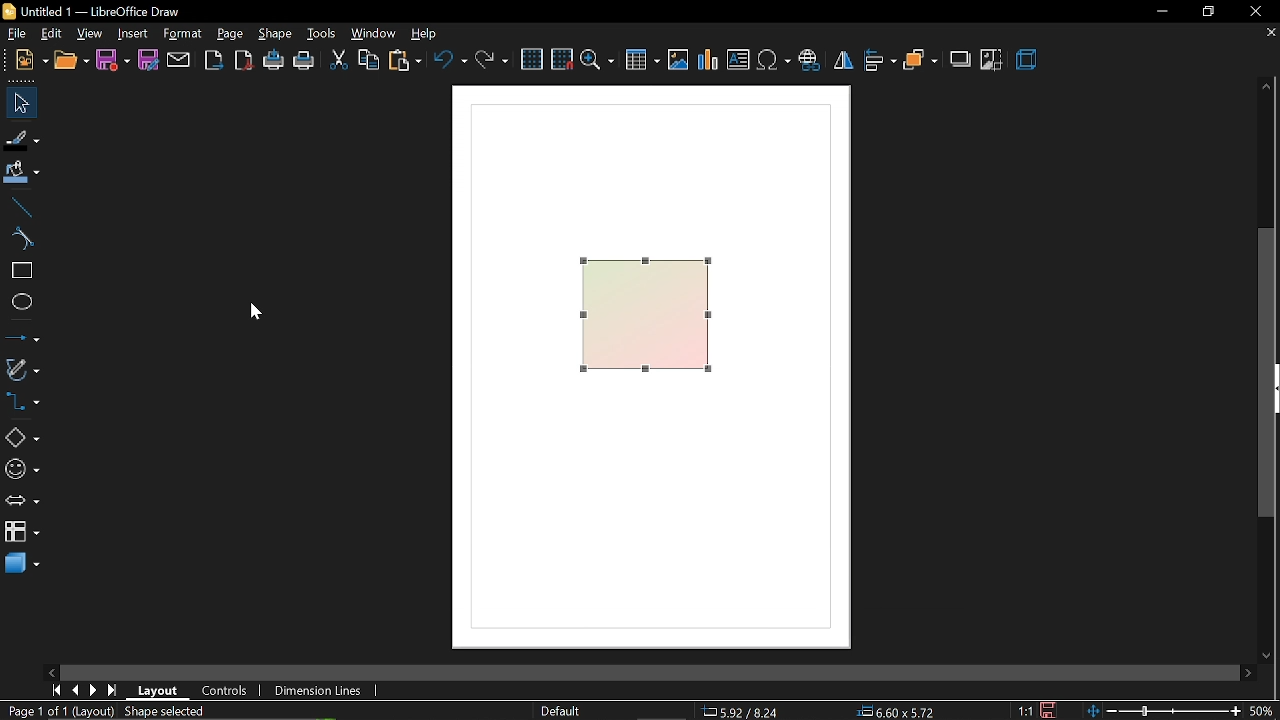 The image size is (1280, 720). What do you see at coordinates (375, 33) in the screenshot?
I see `window` at bounding box center [375, 33].